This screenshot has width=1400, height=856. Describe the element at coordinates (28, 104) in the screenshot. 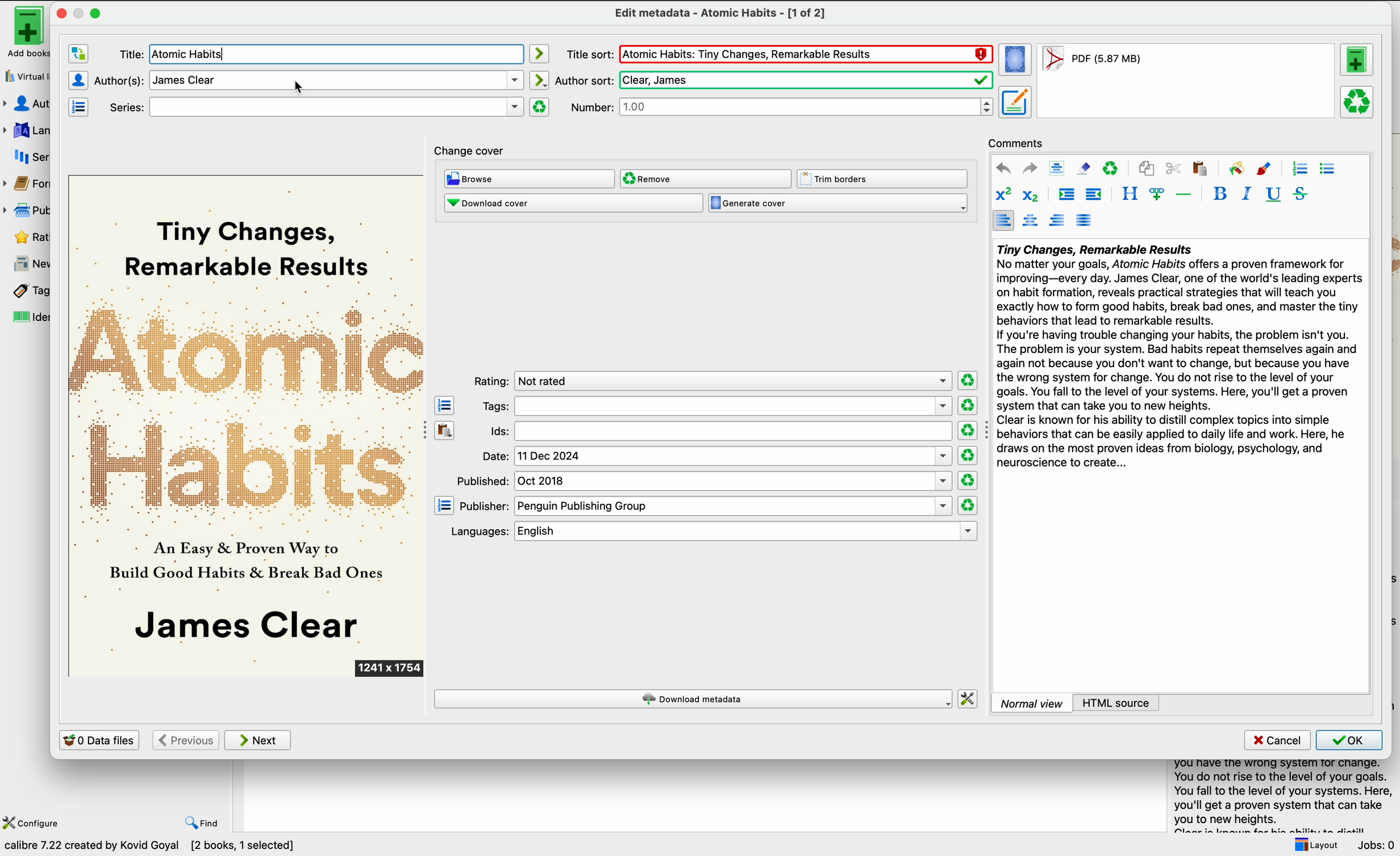

I see `authors` at that location.